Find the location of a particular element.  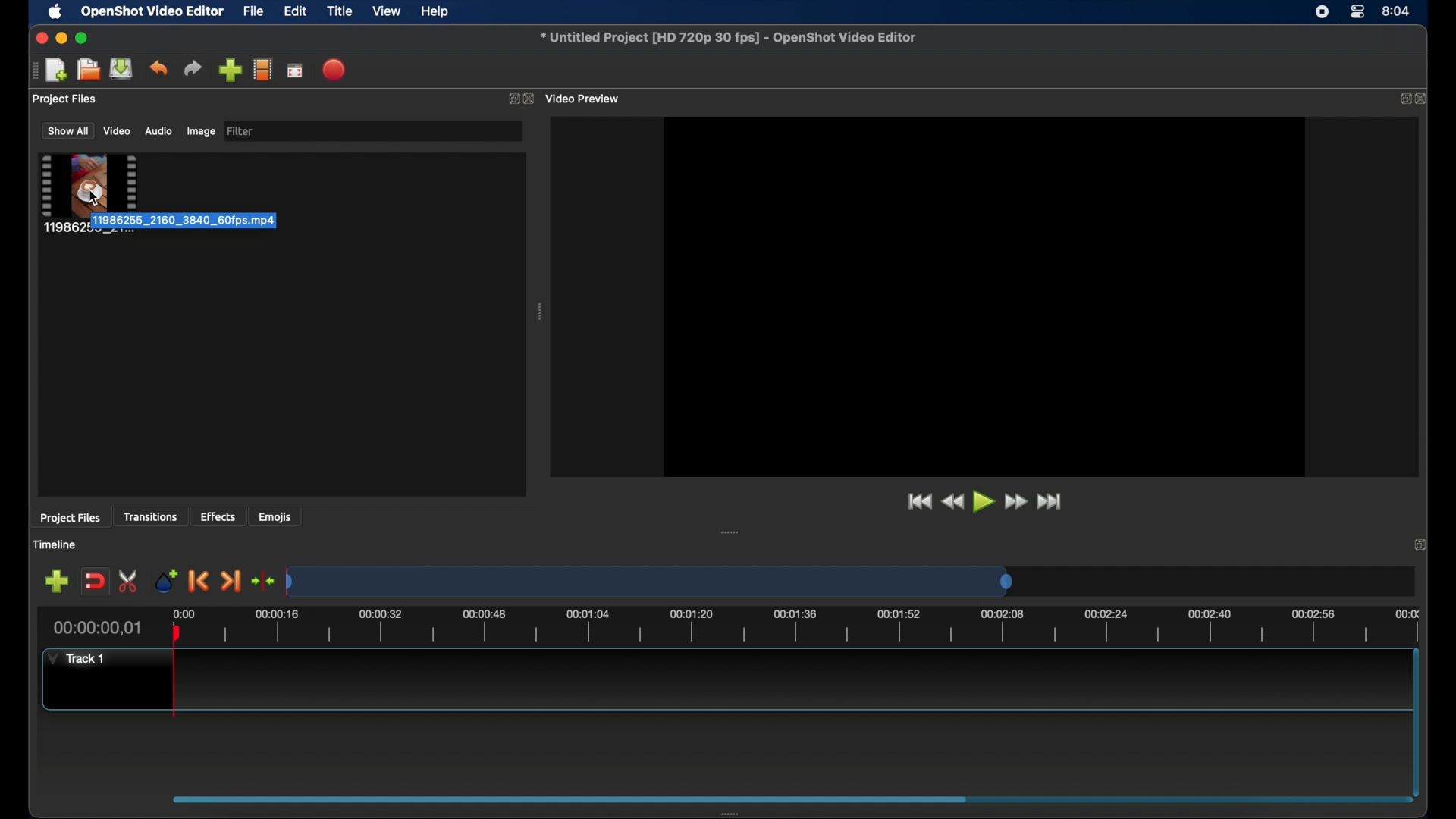

video preview is located at coordinates (984, 297).